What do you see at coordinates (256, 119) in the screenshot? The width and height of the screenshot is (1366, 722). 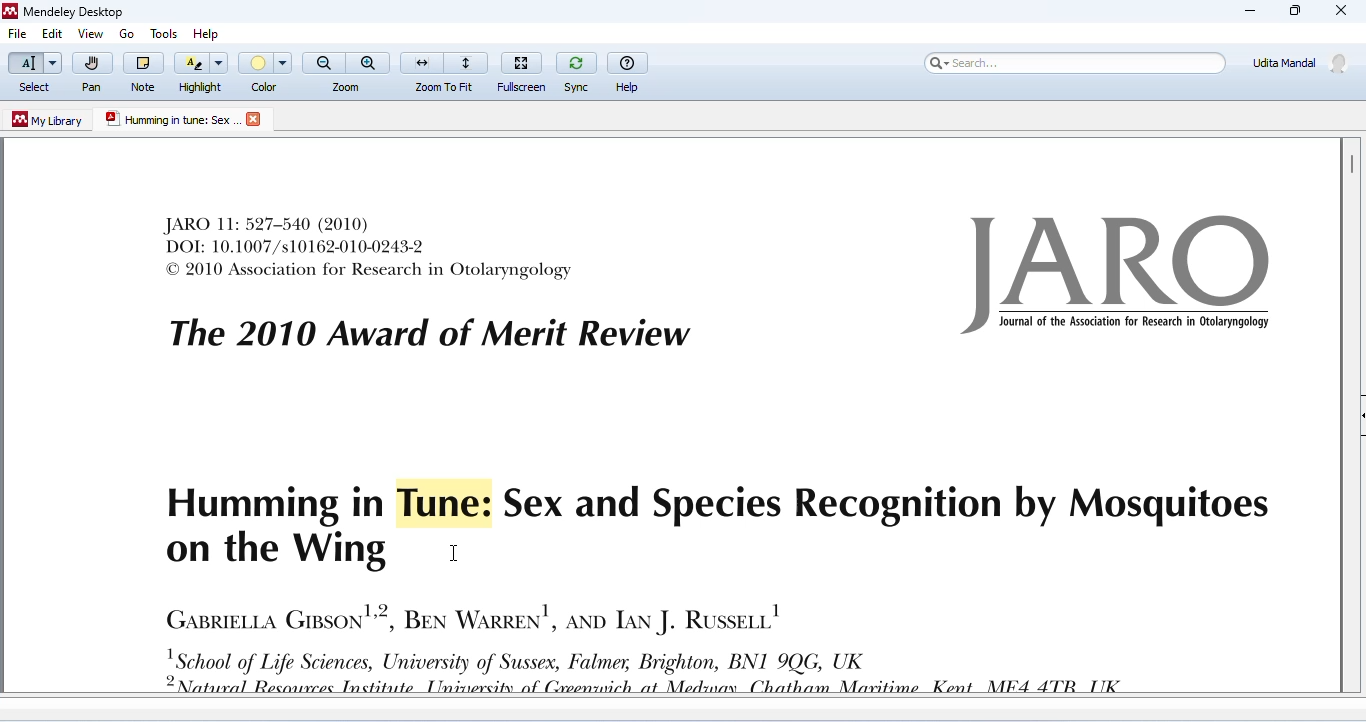 I see `close` at bounding box center [256, 119].